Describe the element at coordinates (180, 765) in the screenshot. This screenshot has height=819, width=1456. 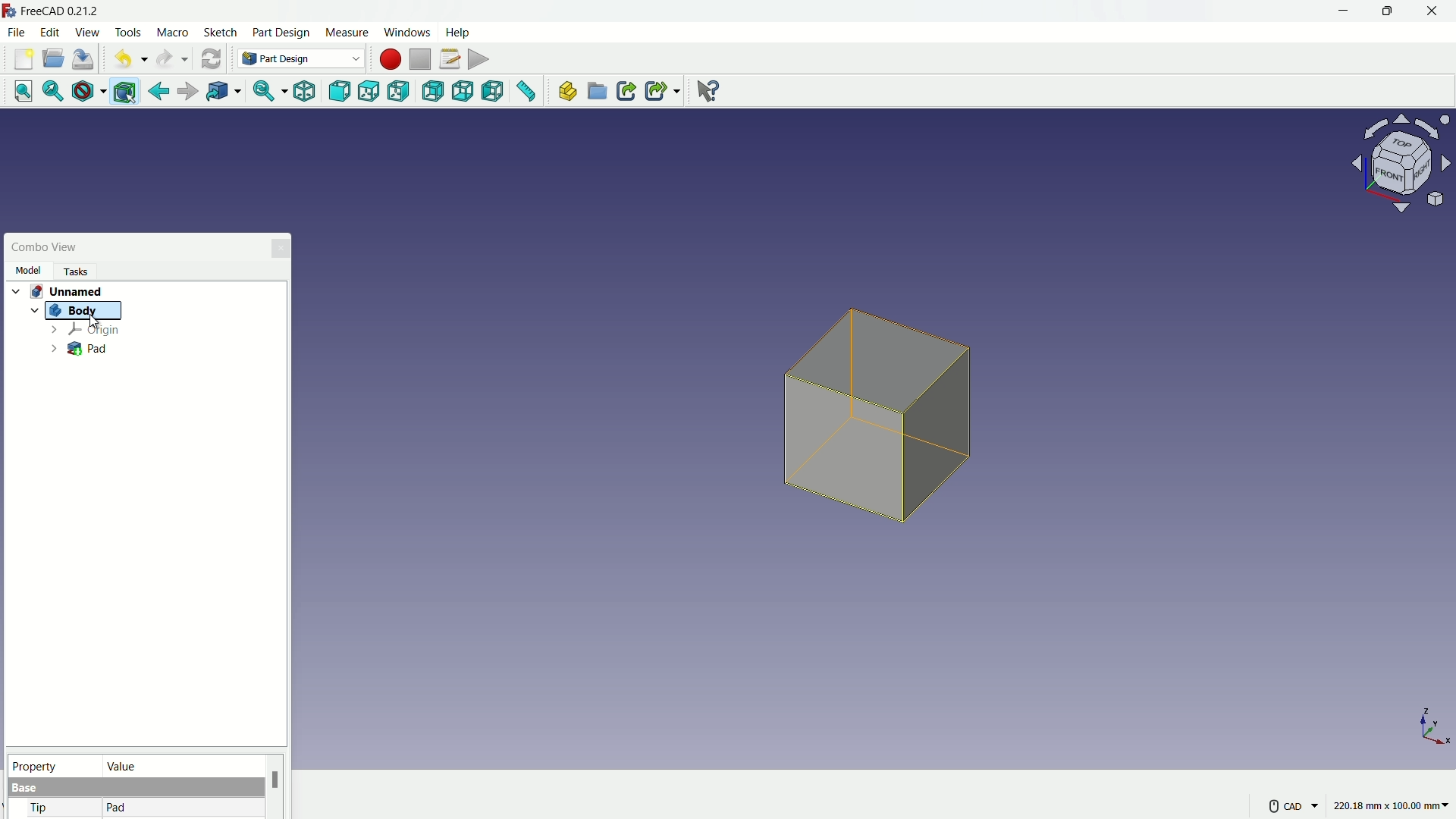
I see `value` at that location.